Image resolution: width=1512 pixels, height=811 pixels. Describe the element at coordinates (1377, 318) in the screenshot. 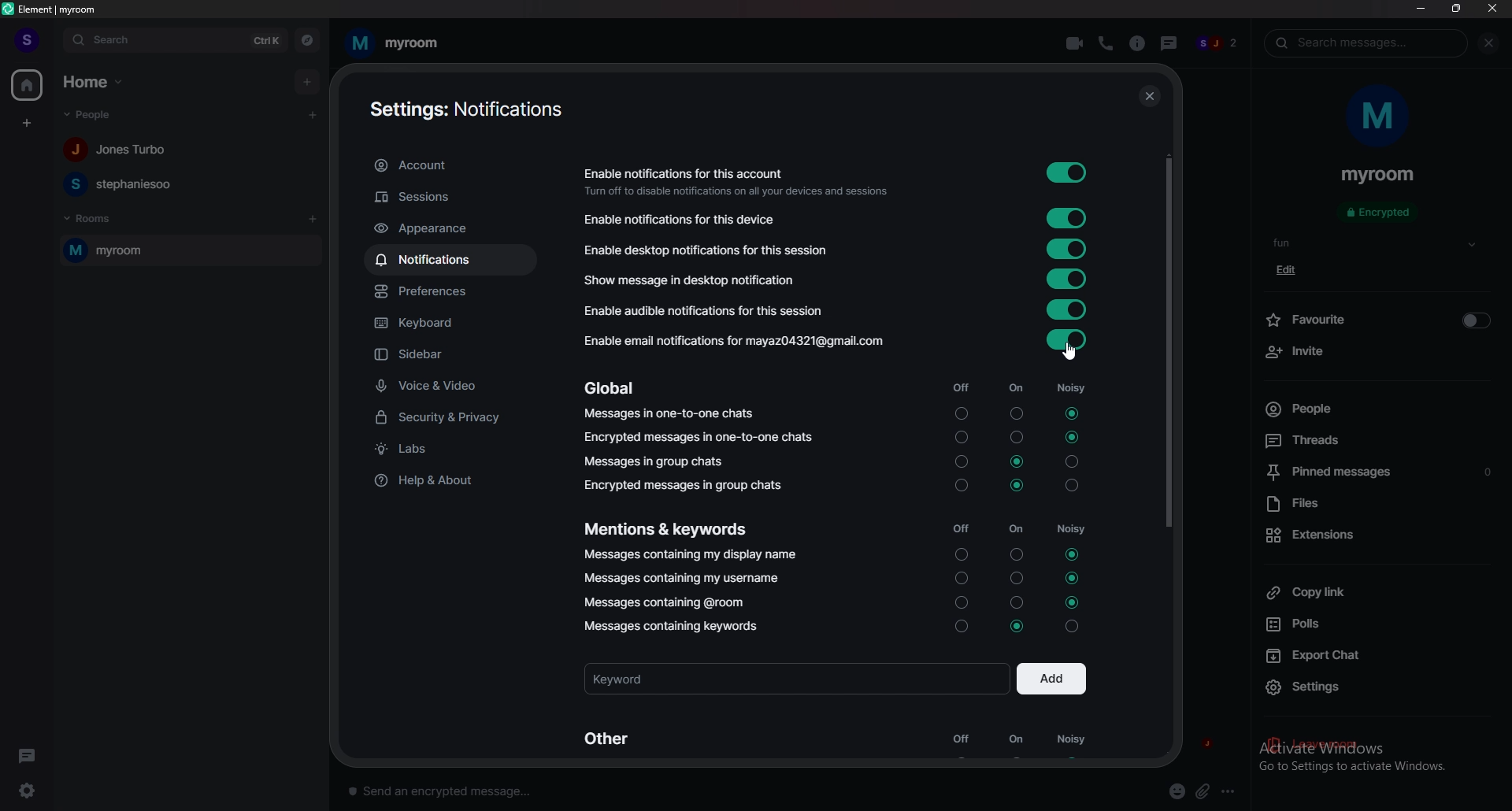

I see `favourite` at that location.